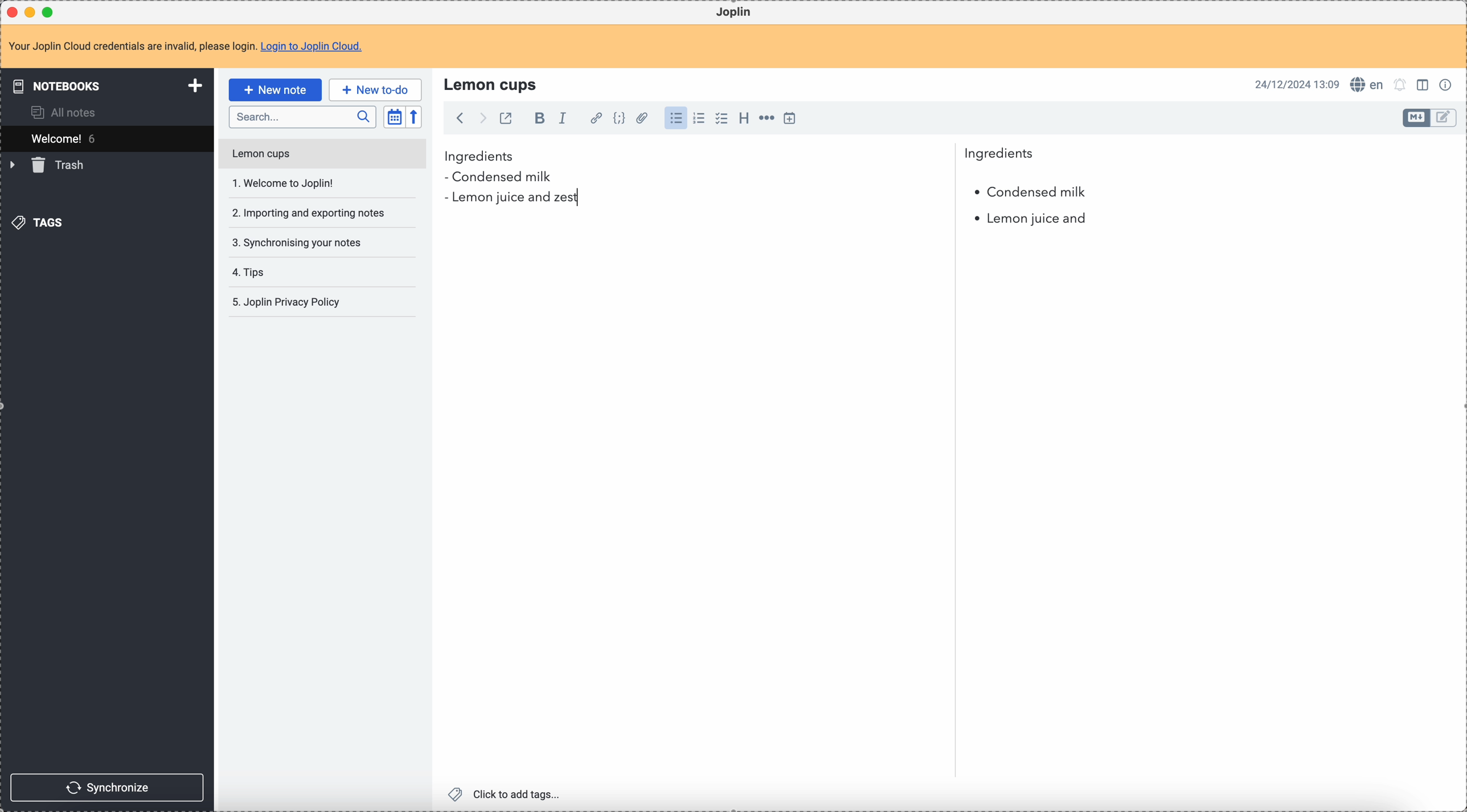 The height and width of the screenshot is (812, 1467). I want to click on close, so click(14, 13).